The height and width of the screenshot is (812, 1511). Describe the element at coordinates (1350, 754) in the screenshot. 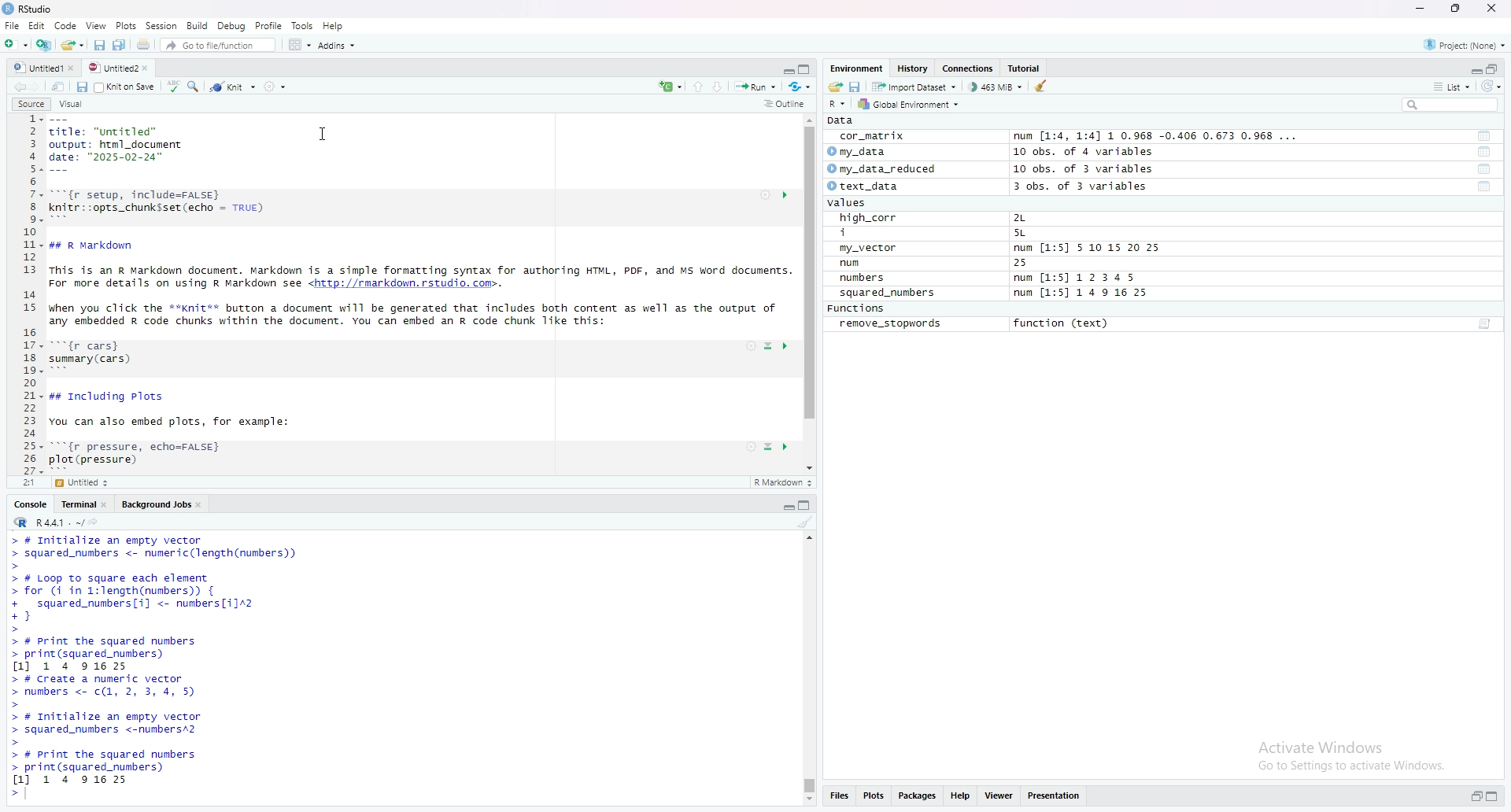

I see `Activate Windows
Go to Settings to activate Windows.` at that location.